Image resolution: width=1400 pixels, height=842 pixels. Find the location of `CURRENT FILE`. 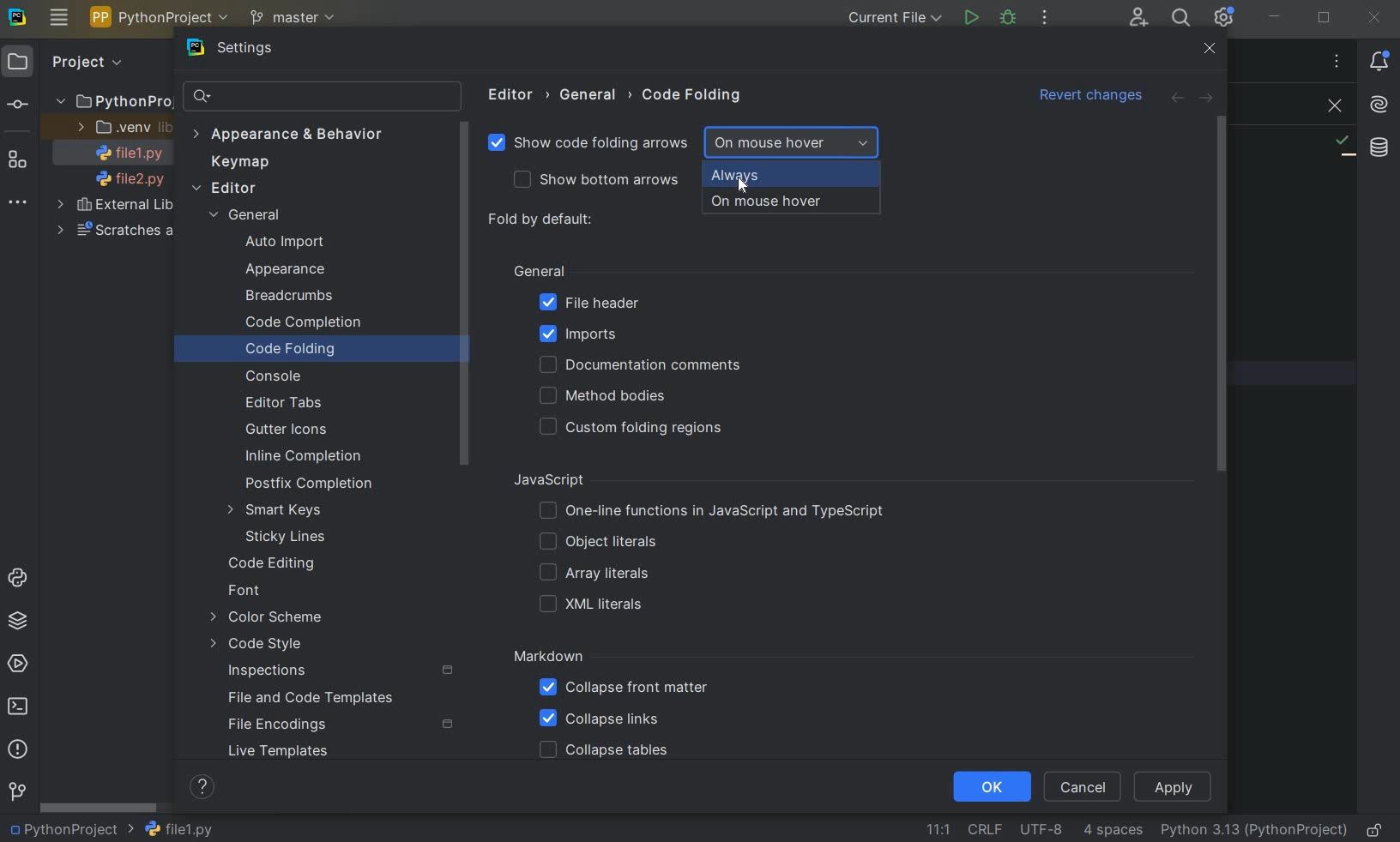

CURRENT FILE is located at coordinates (892, 18).